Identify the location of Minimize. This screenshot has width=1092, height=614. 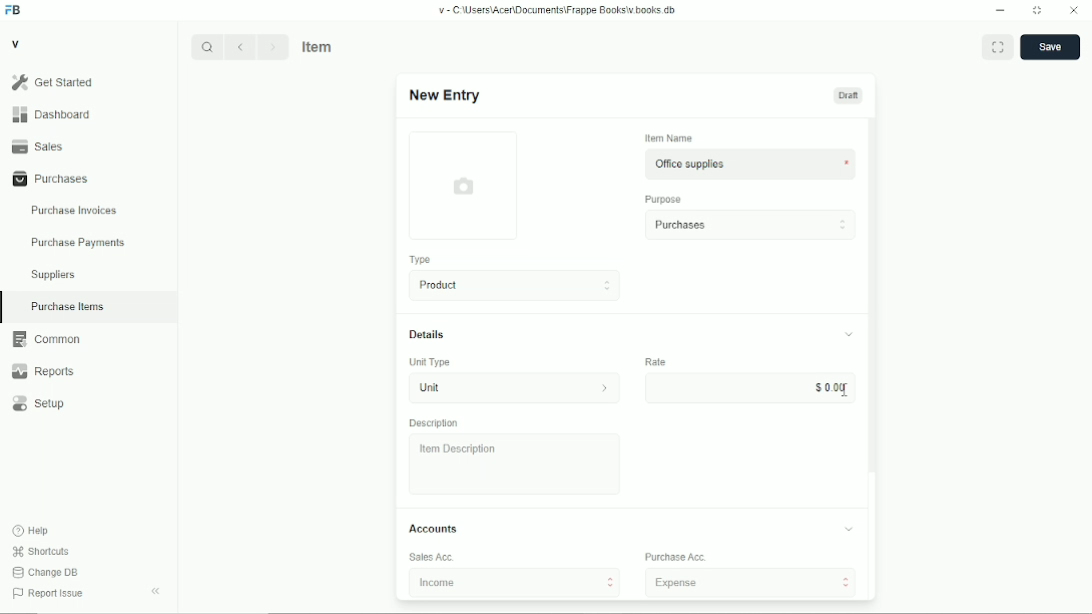
(1000, 10).